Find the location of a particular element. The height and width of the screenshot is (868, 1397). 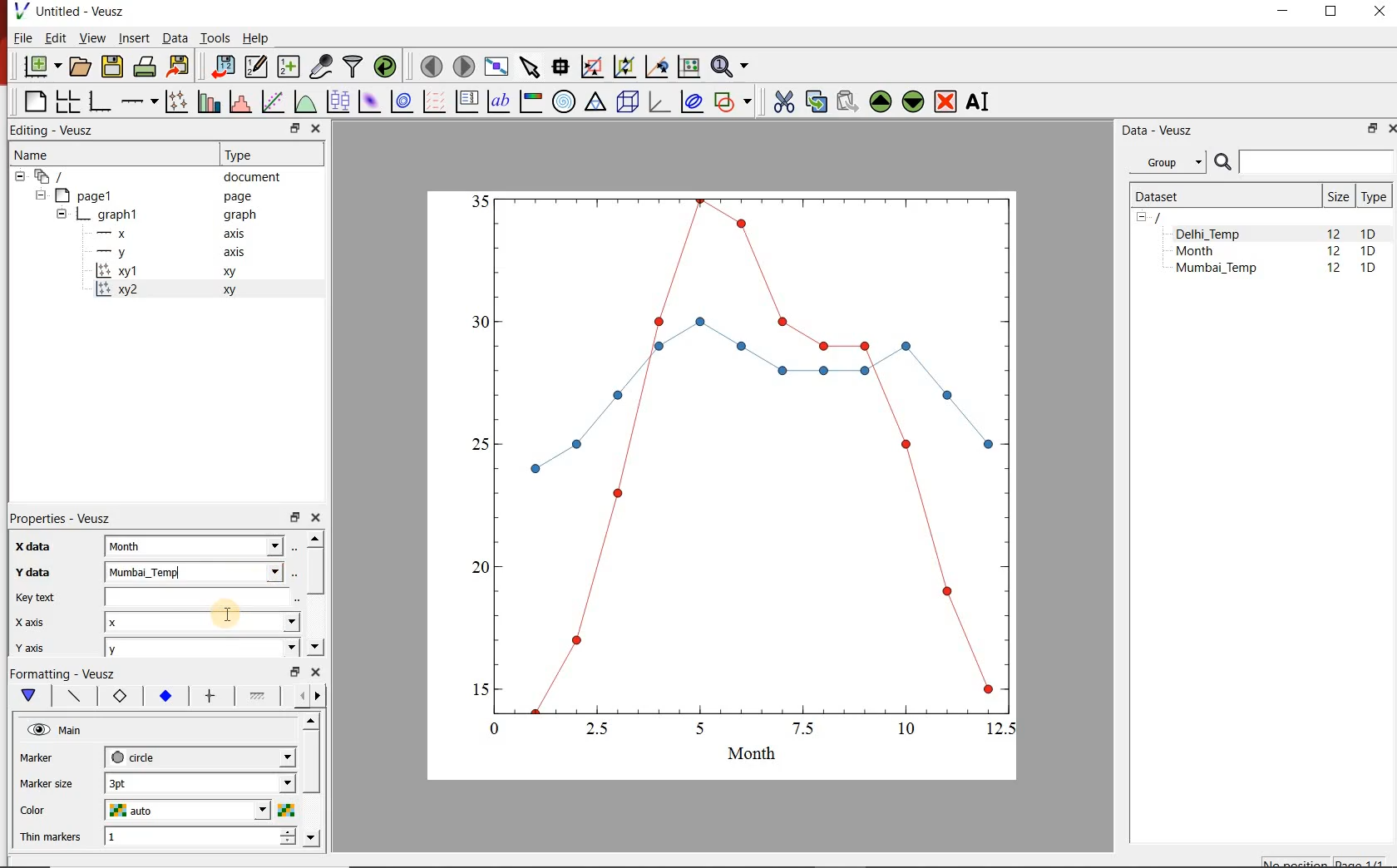

Untitled-Veusz is located at coordinates (74, 11).